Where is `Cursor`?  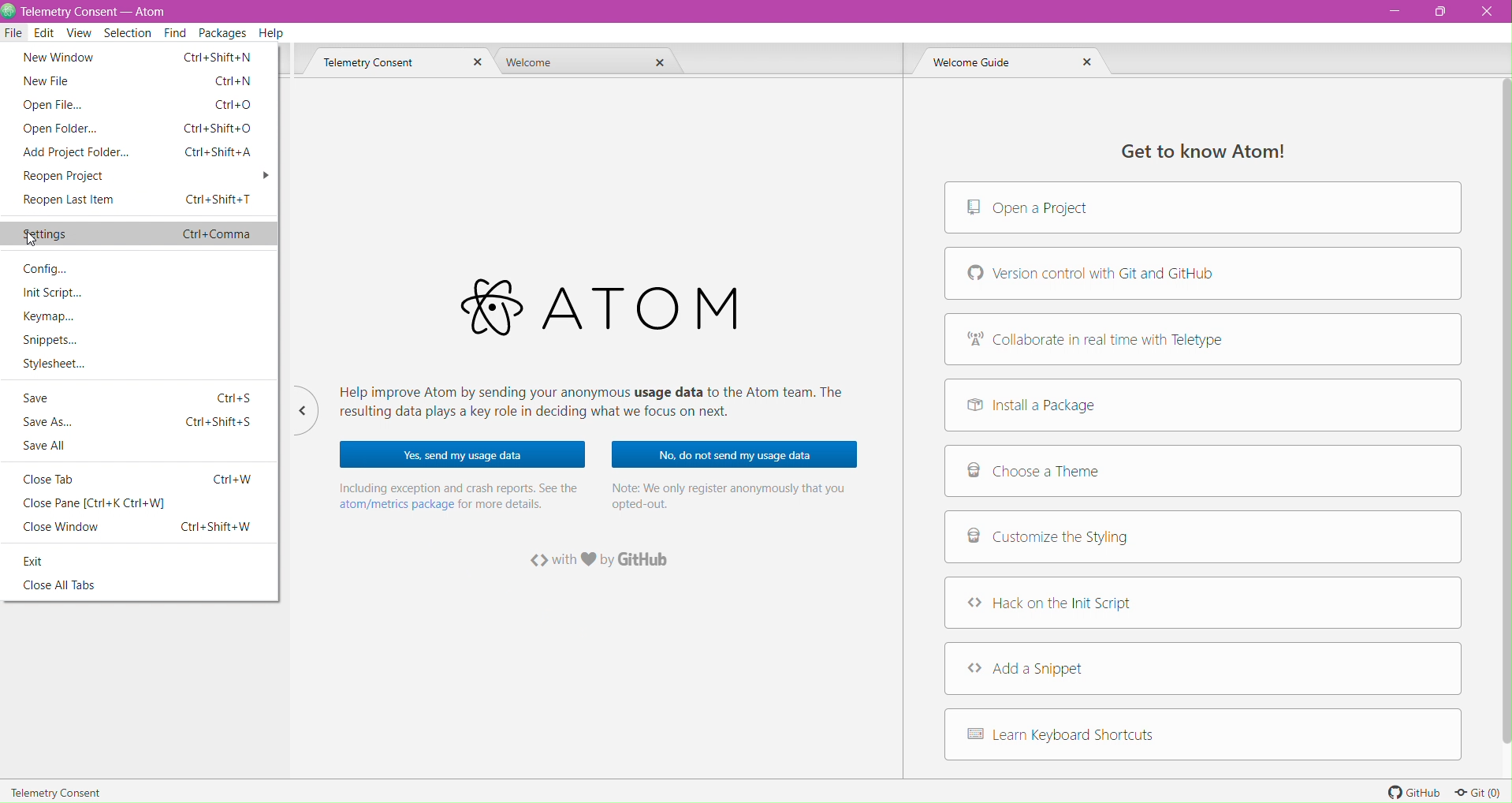
Cursor is located at coordinates (27, 239).